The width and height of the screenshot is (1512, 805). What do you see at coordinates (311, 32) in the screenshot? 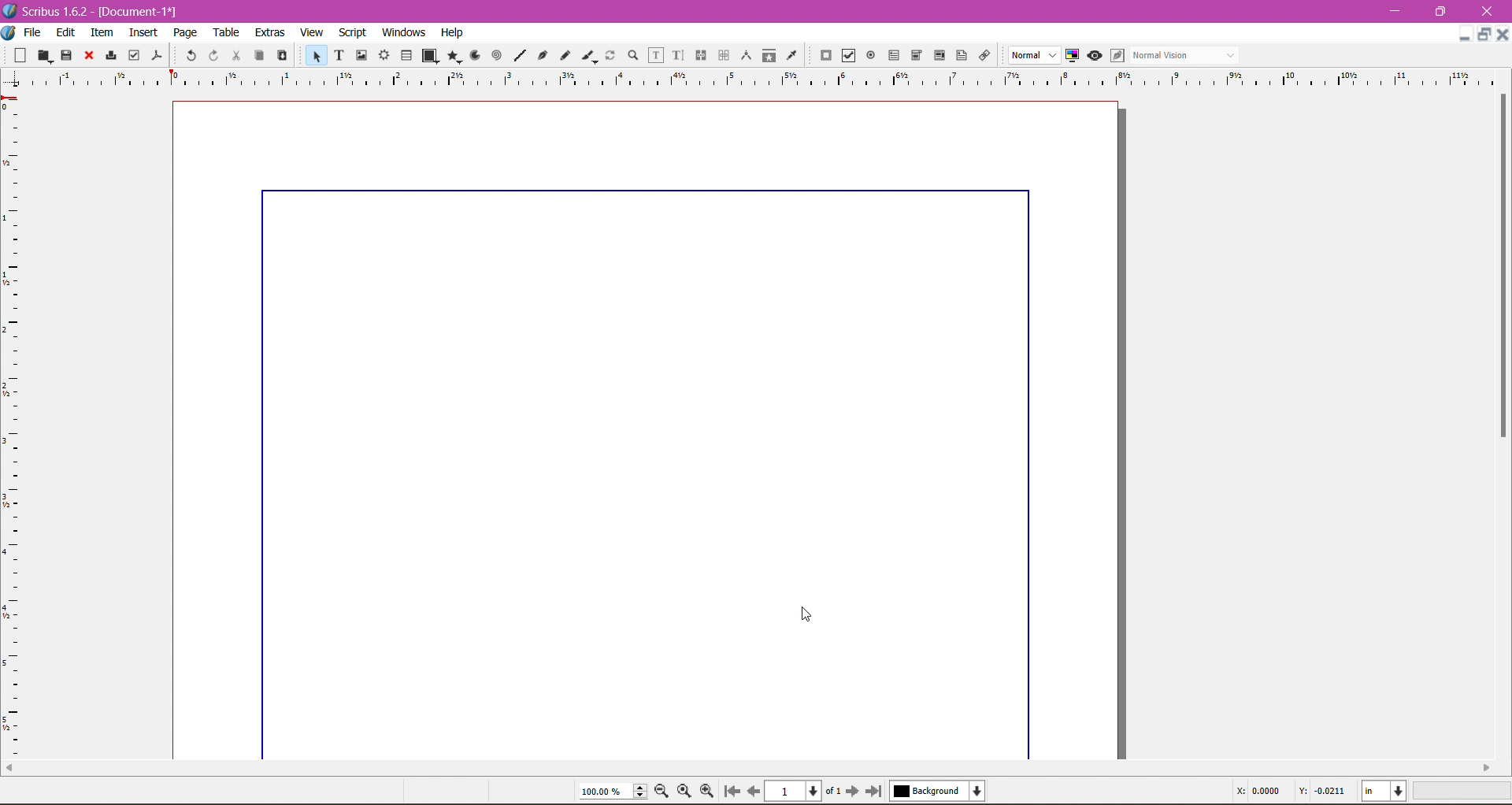
I see `View` at bounding box center [311, 32].